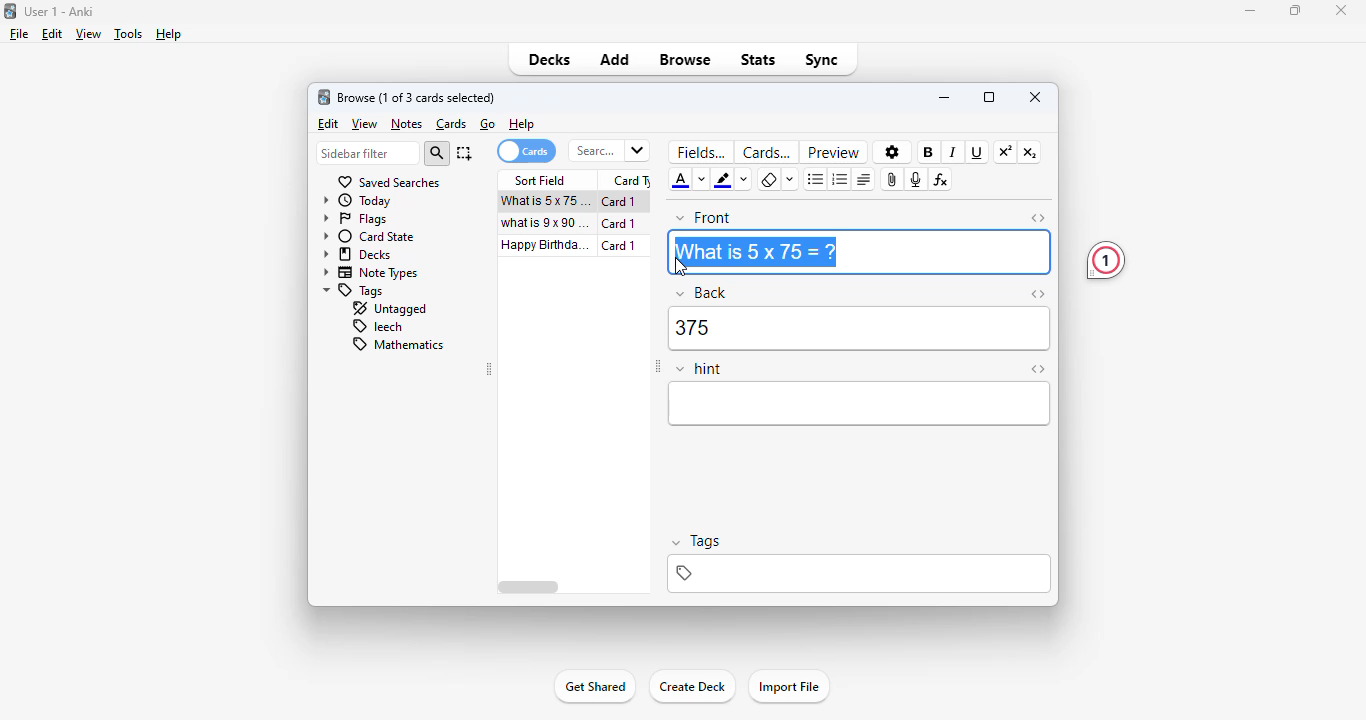 This screenshot has height=720, width=1366. Describe the element at coordinates (725, 180) in the screenshot. I see `text highlight color` at that location.